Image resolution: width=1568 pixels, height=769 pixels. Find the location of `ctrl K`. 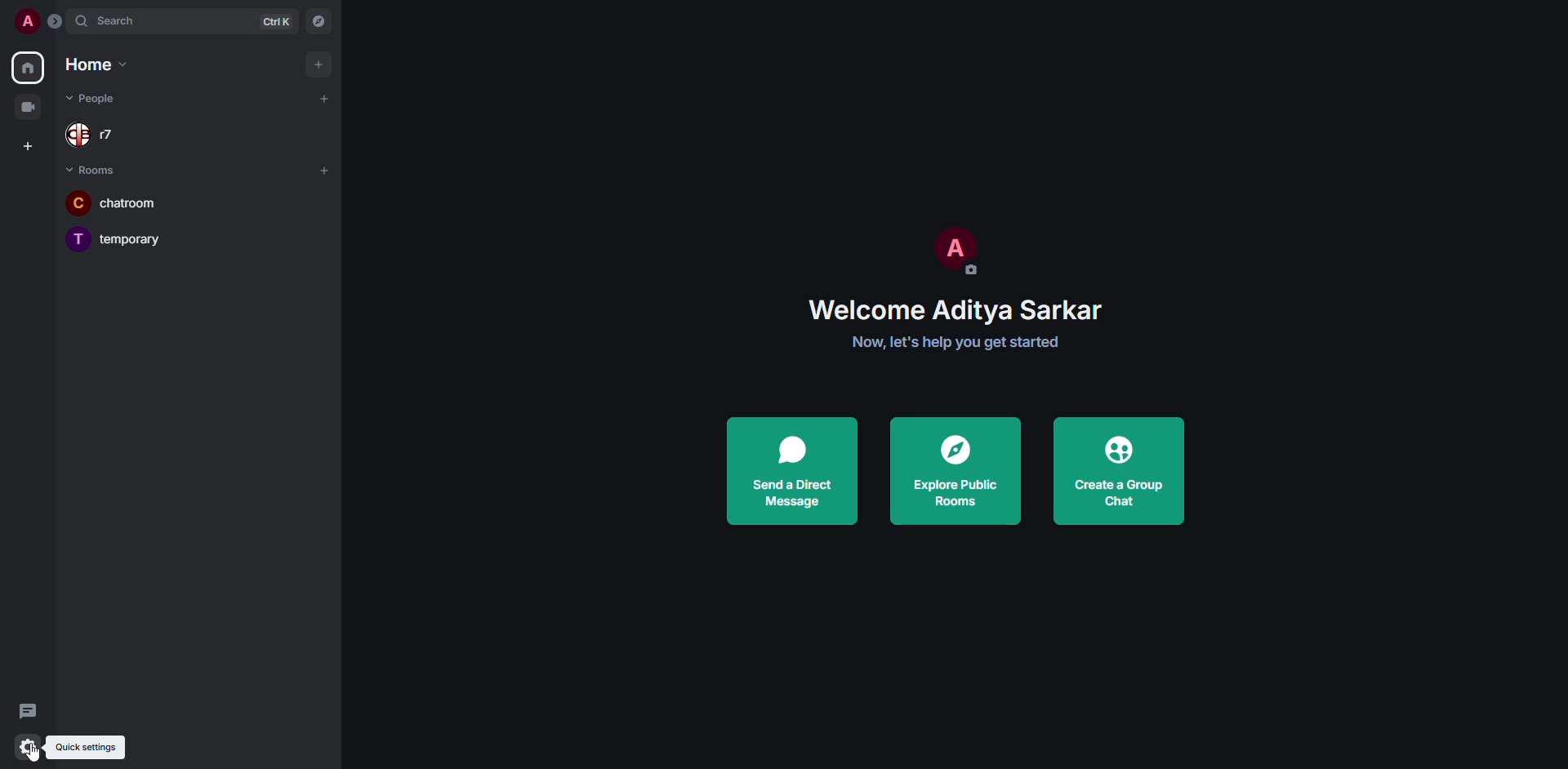

ctrl K is located at coordinates (276, 22).